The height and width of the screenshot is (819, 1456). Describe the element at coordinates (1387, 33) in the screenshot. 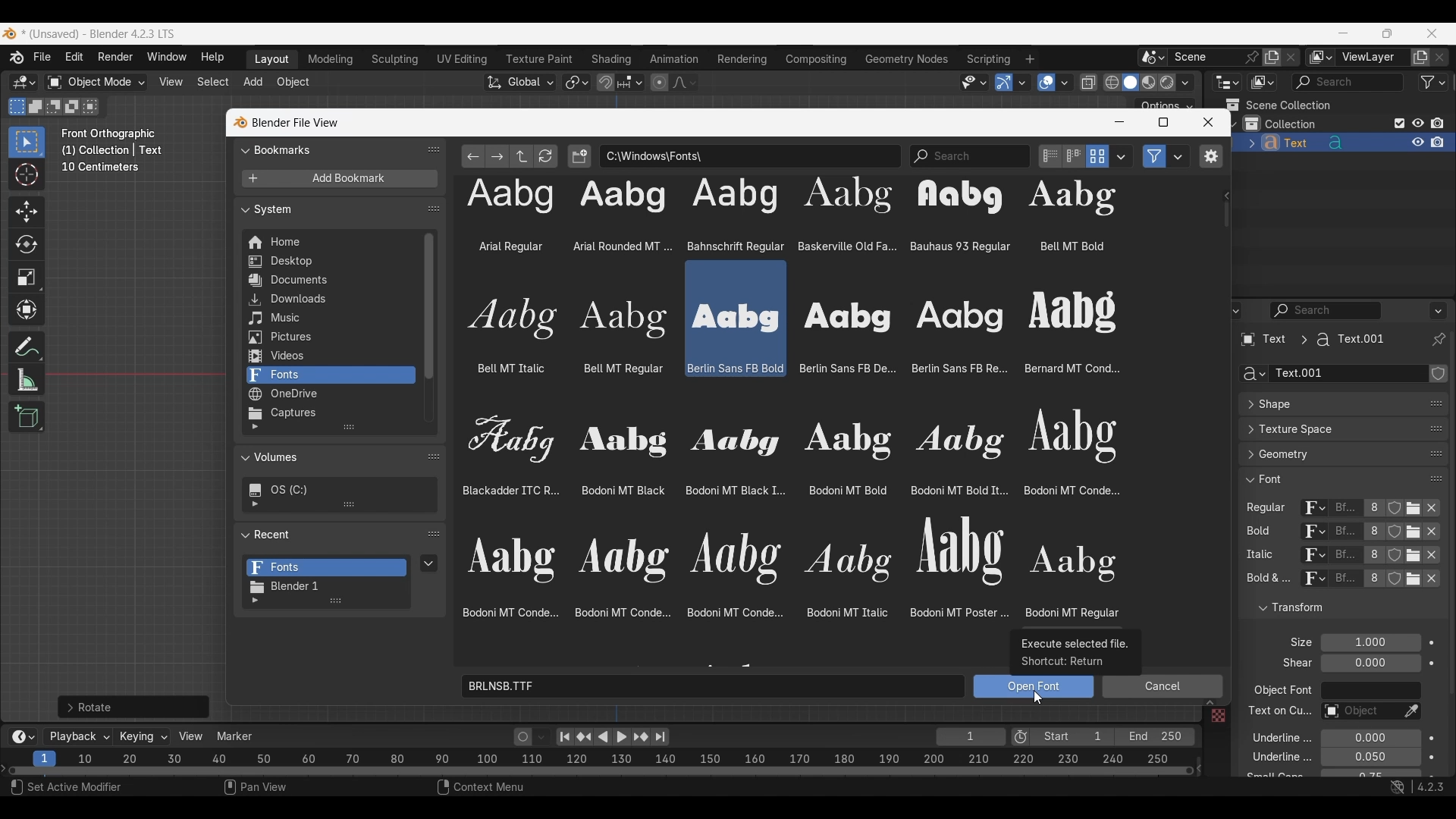

I see `Show interface in a smaller tab` at that location.